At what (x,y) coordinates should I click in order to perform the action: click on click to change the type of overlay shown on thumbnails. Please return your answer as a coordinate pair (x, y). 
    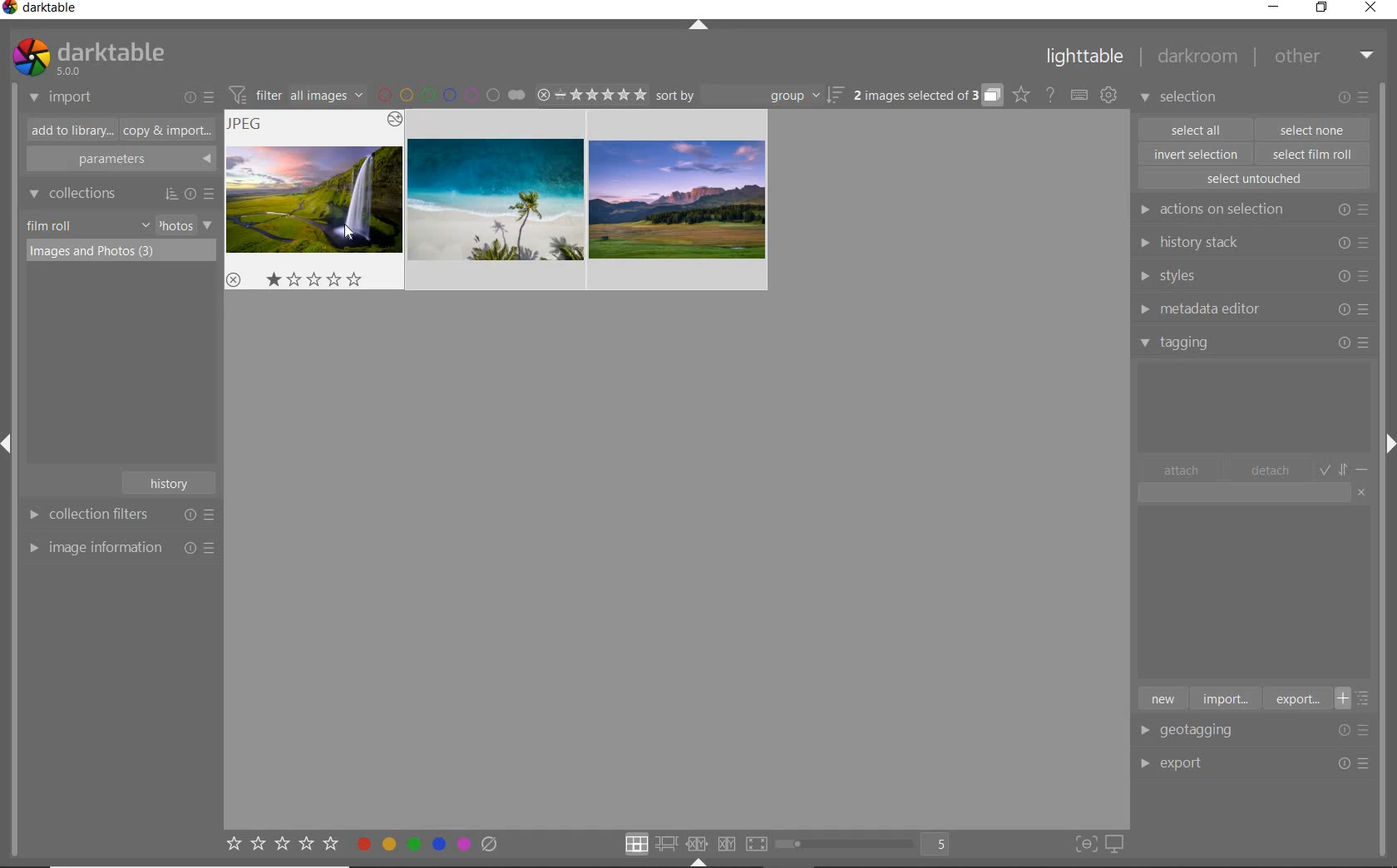
    Looking at the image, I should click on (1022, 95).